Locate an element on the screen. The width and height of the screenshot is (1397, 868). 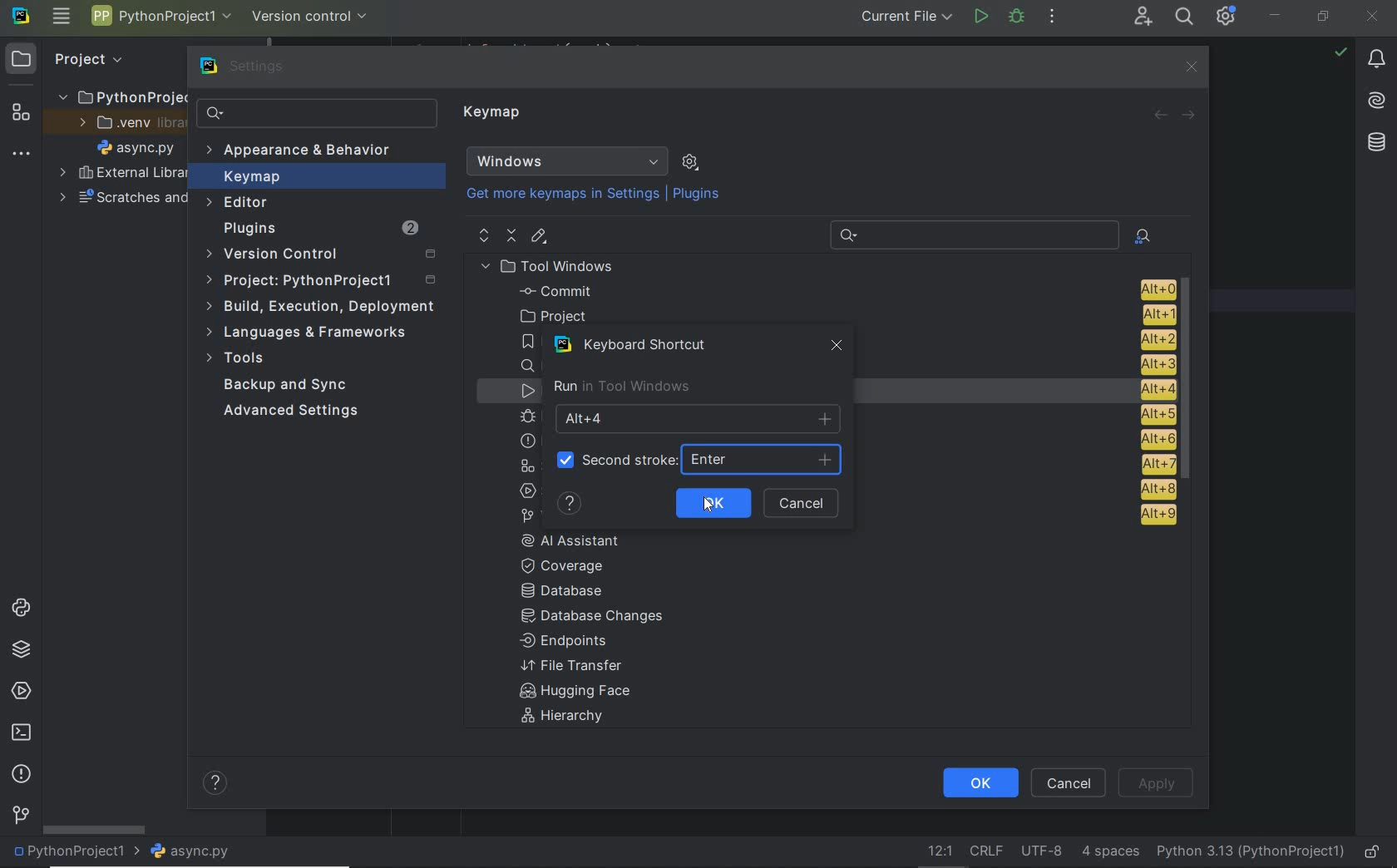
Apply is located at coordinates (1156, 782).